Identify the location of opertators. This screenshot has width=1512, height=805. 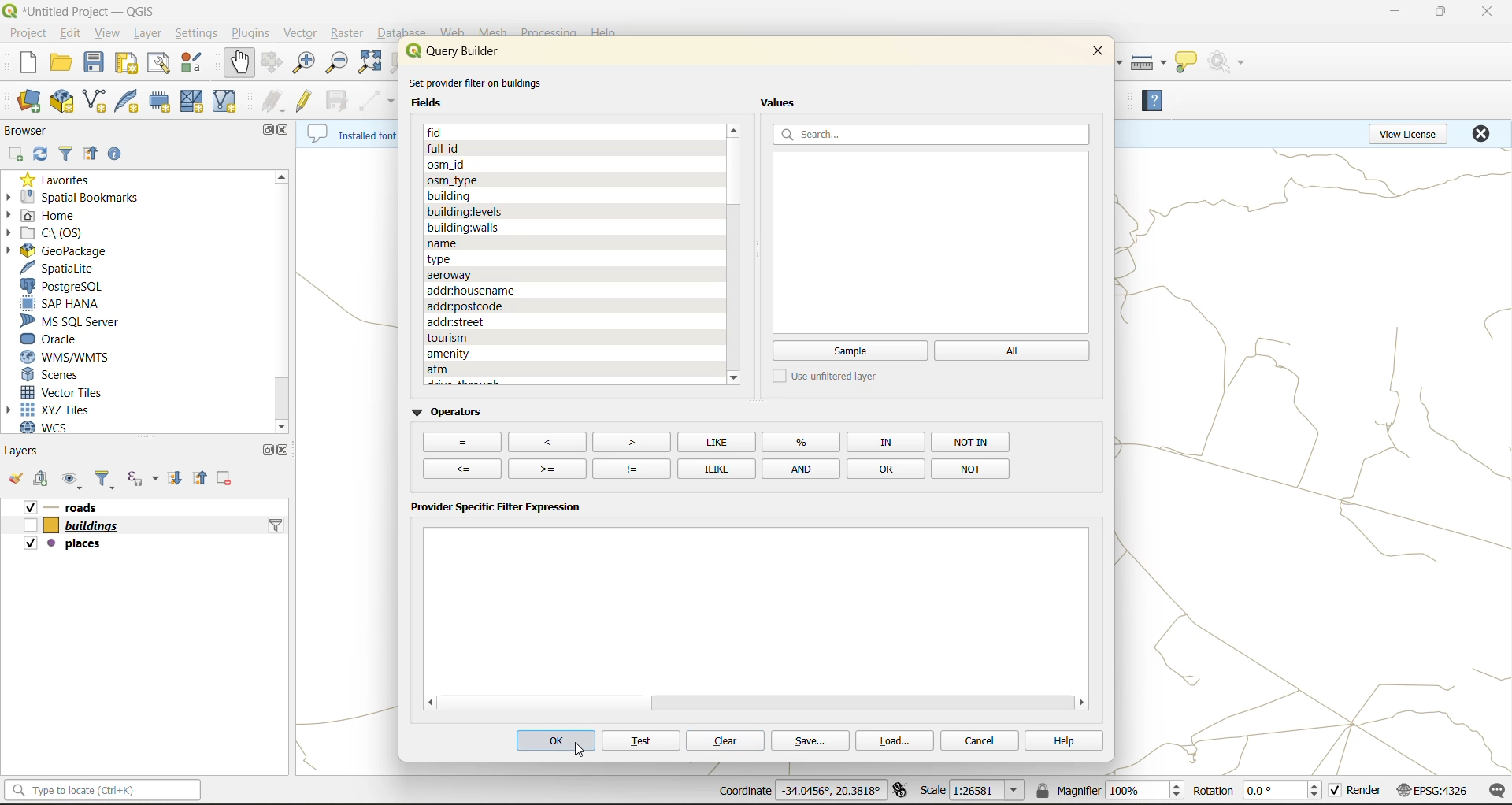
(629, 440).